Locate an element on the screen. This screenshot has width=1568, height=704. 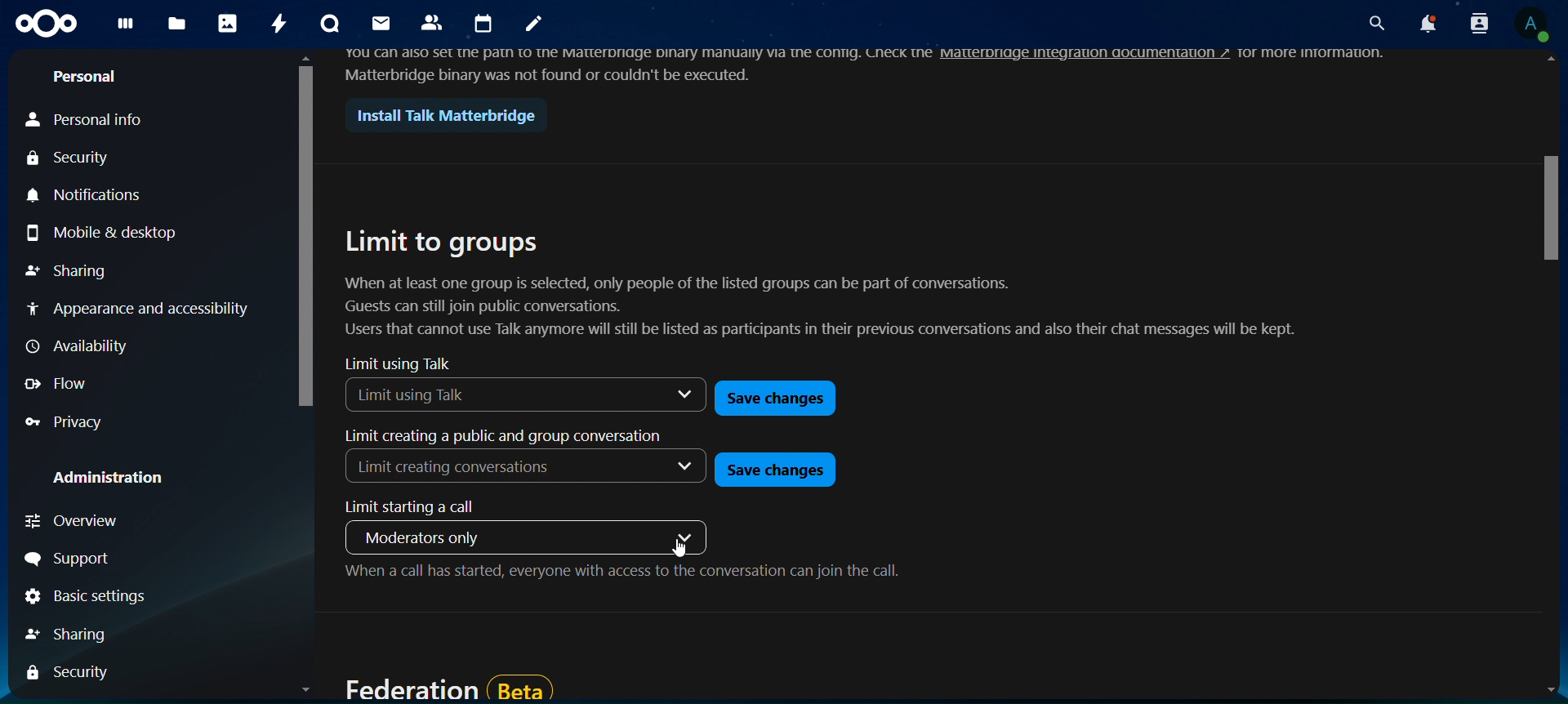
contacts is located at coordinates (433, 21).